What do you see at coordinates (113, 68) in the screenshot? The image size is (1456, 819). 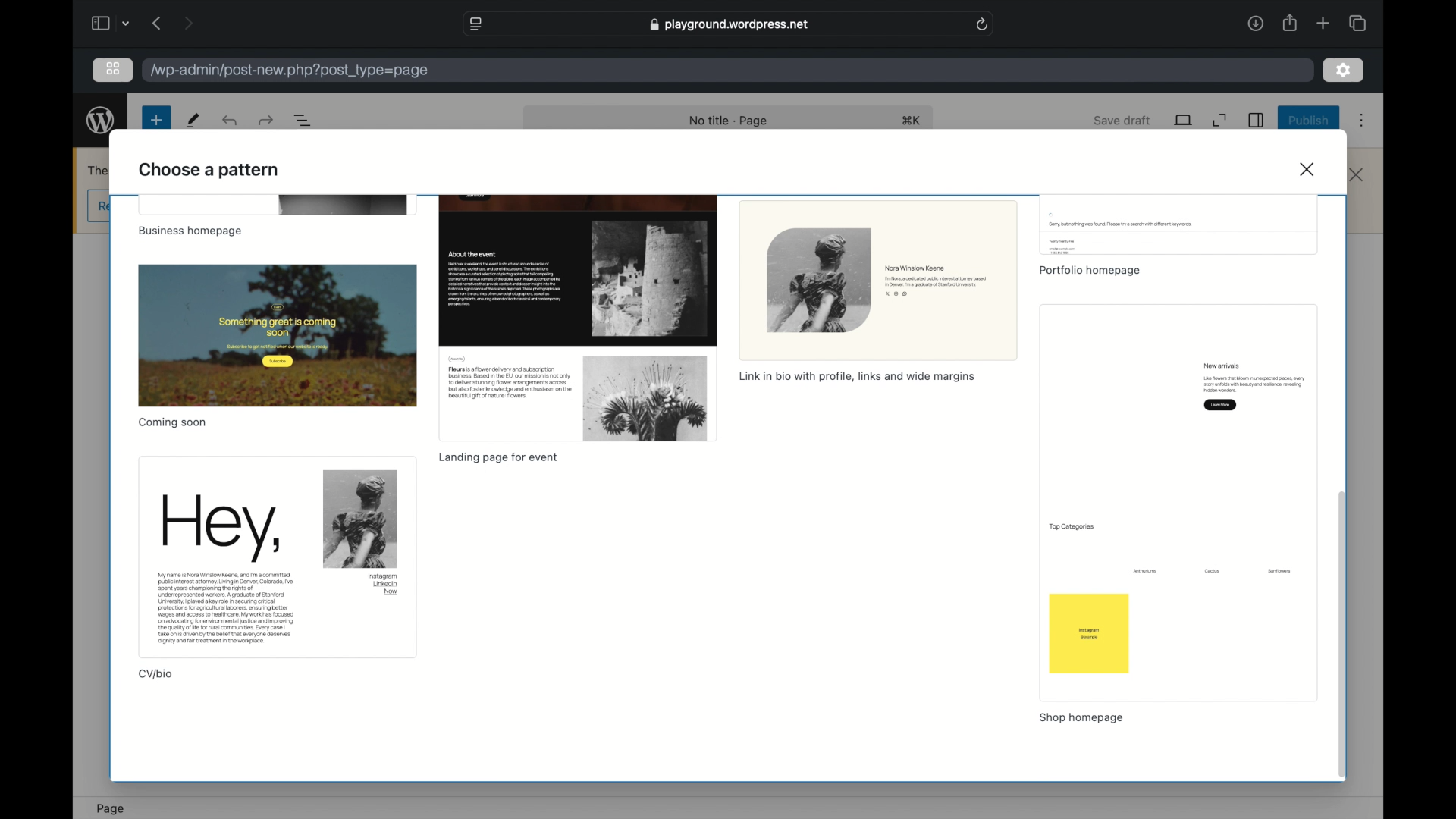 I see `grid` at bounding box center [113, 68].